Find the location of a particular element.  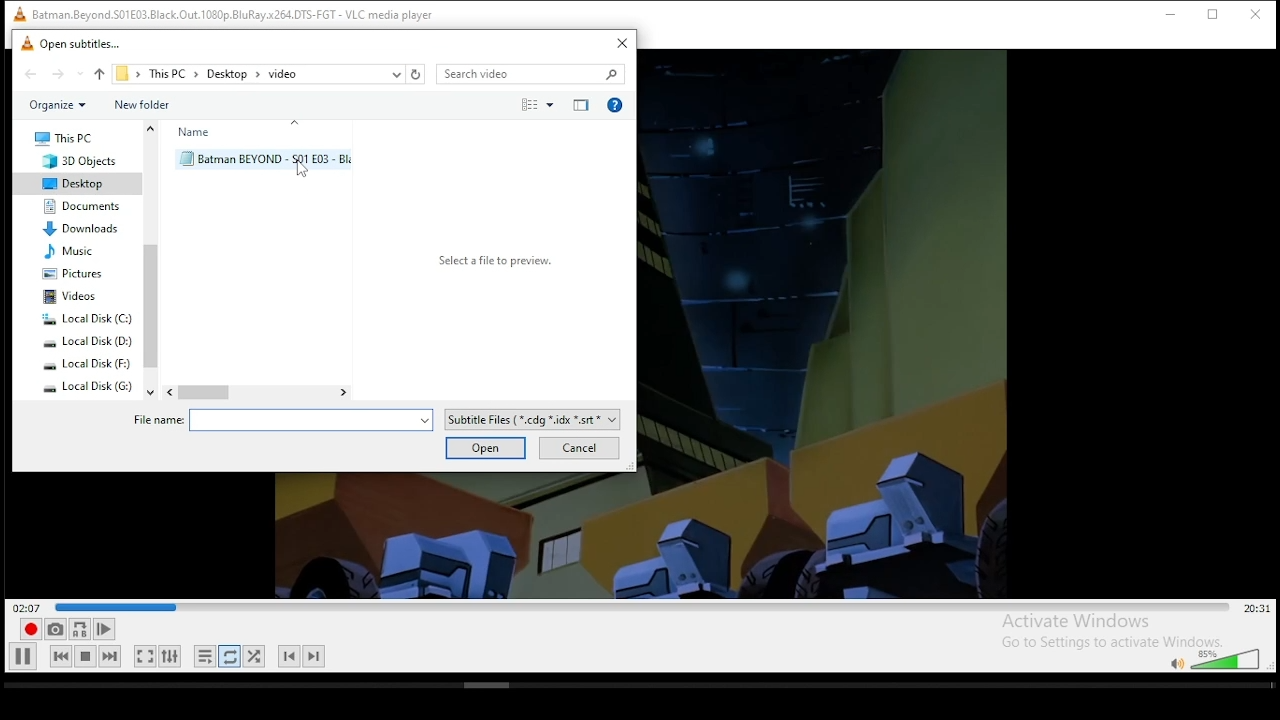

open is located at coordinates (483, 448).